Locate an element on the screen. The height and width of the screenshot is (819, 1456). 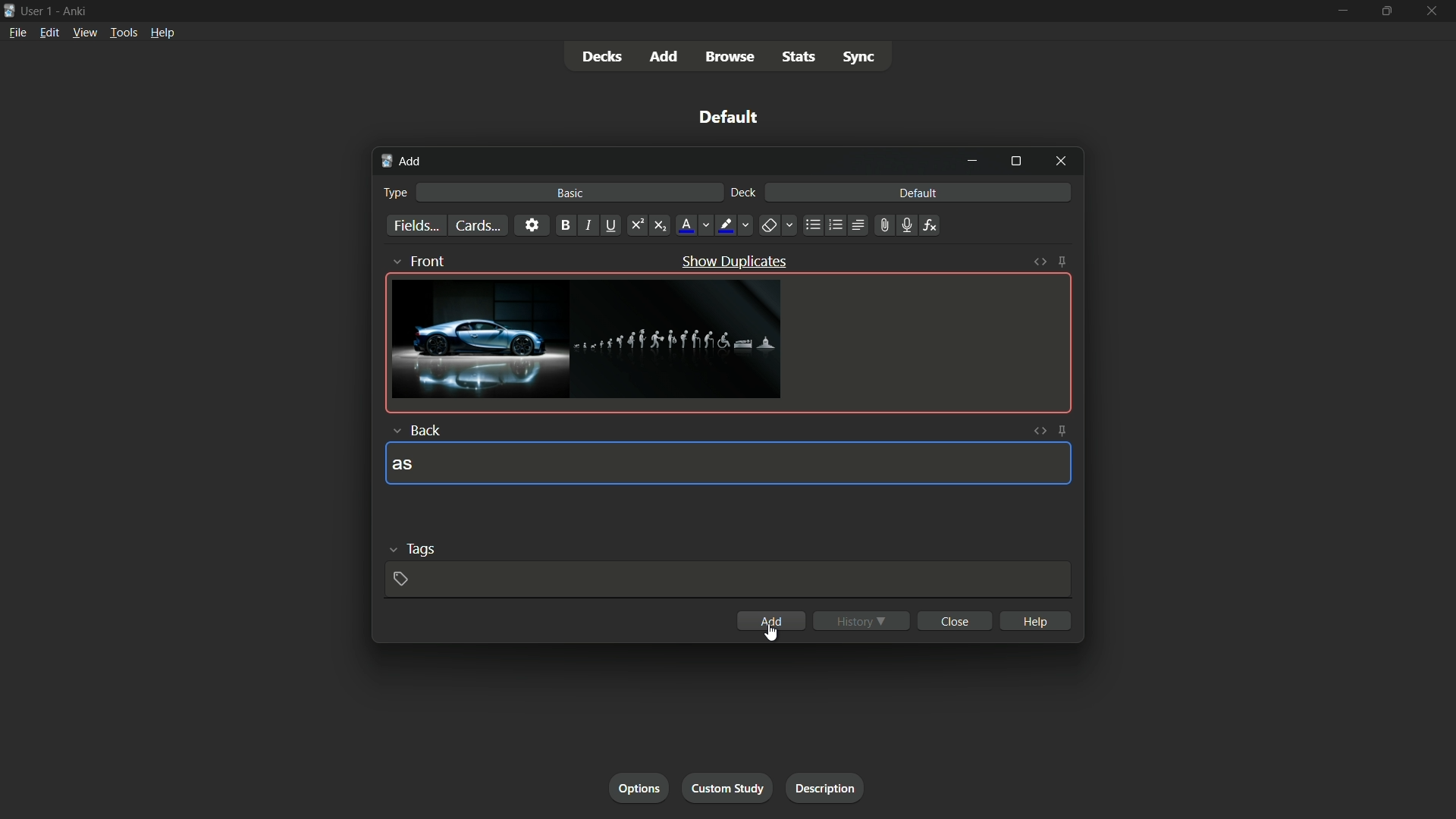
app name is located at coordinates (77, 9).